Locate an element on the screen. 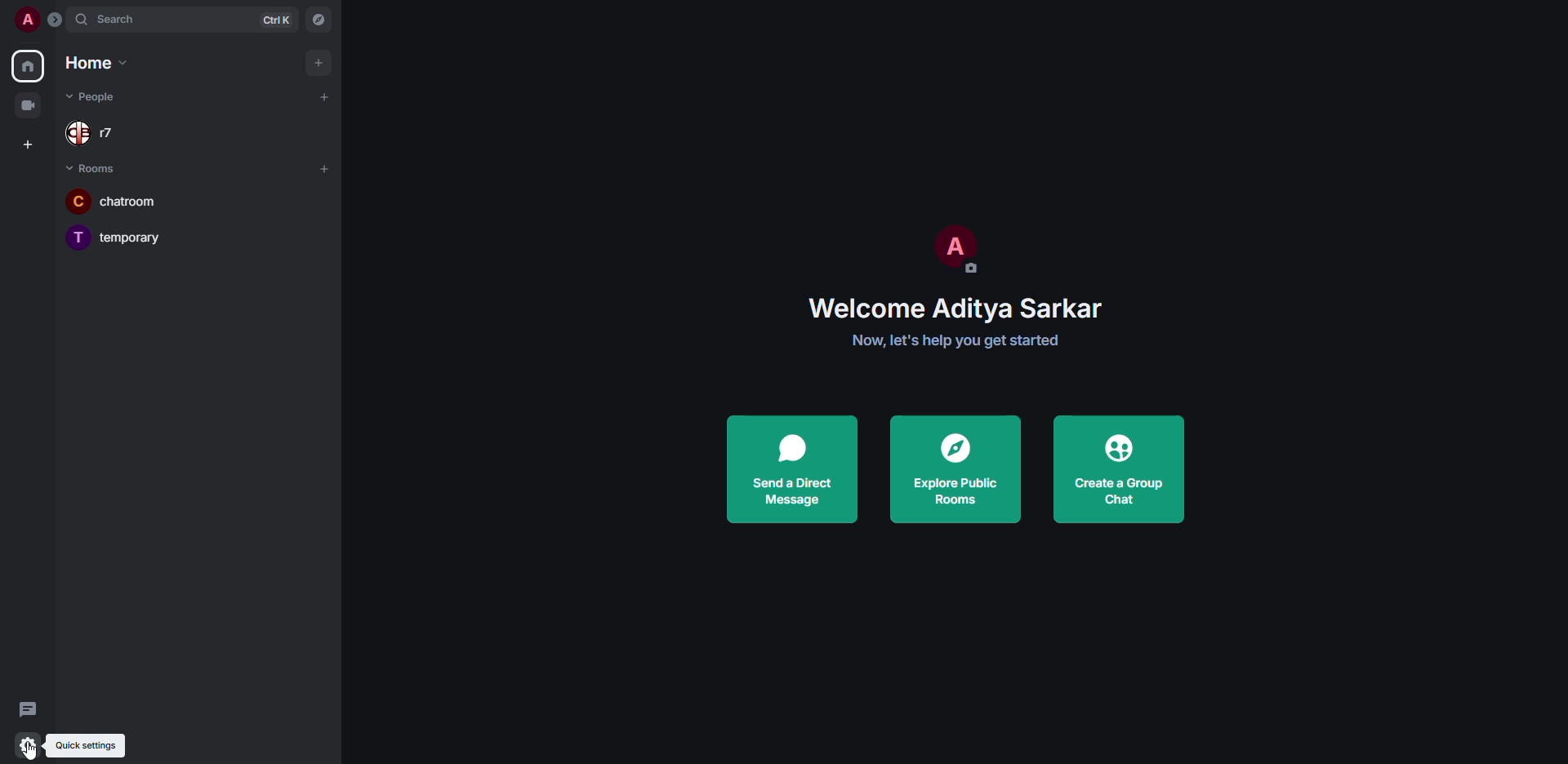 This screenshot has height=764, width=1568. add is located at coordinates (324, 169).